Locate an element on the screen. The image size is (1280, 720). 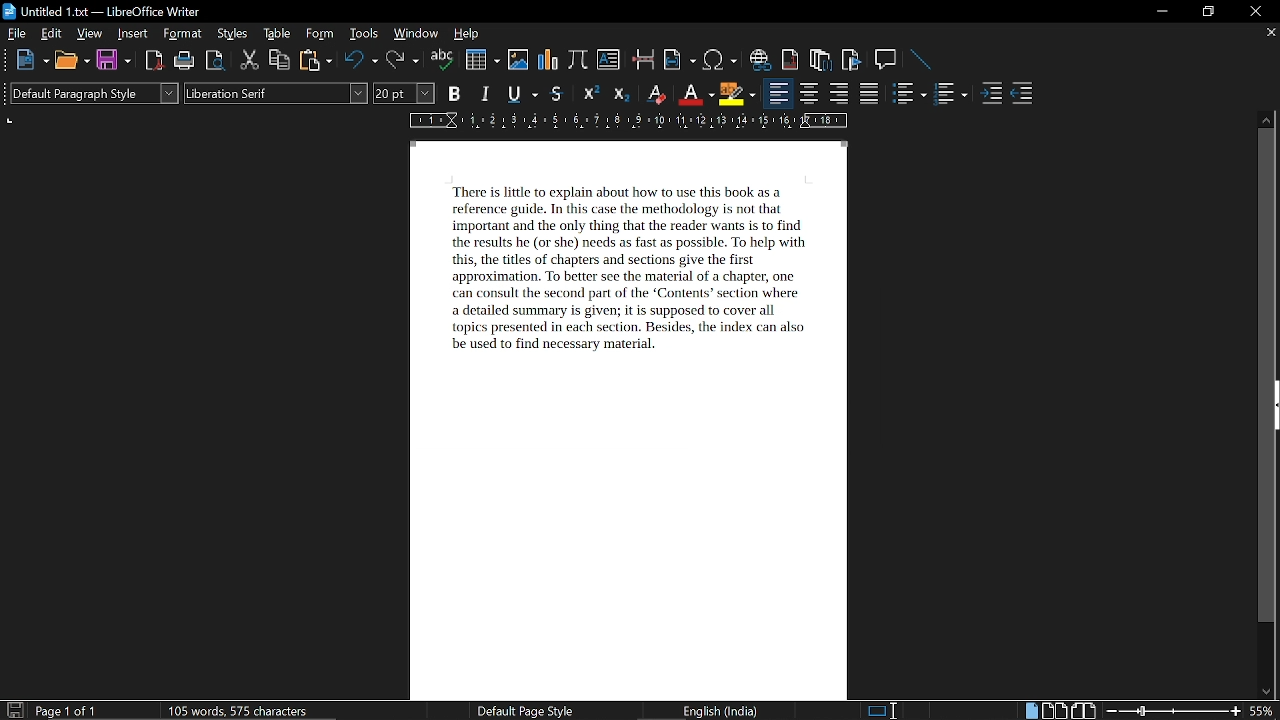
format is located at coordinates (183, 33).